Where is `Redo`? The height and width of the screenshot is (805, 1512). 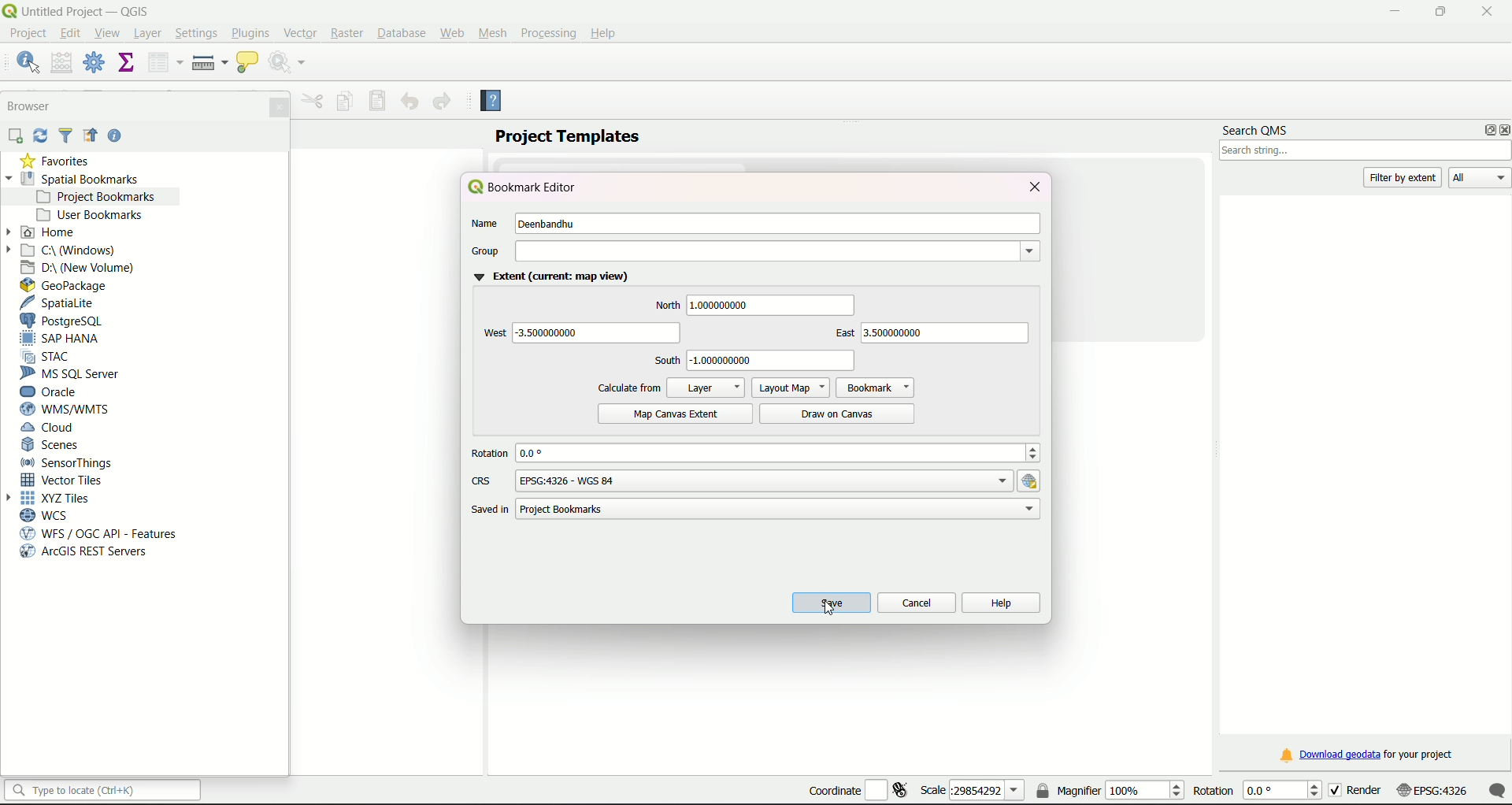 Redo is located at coordinates (442, 102).